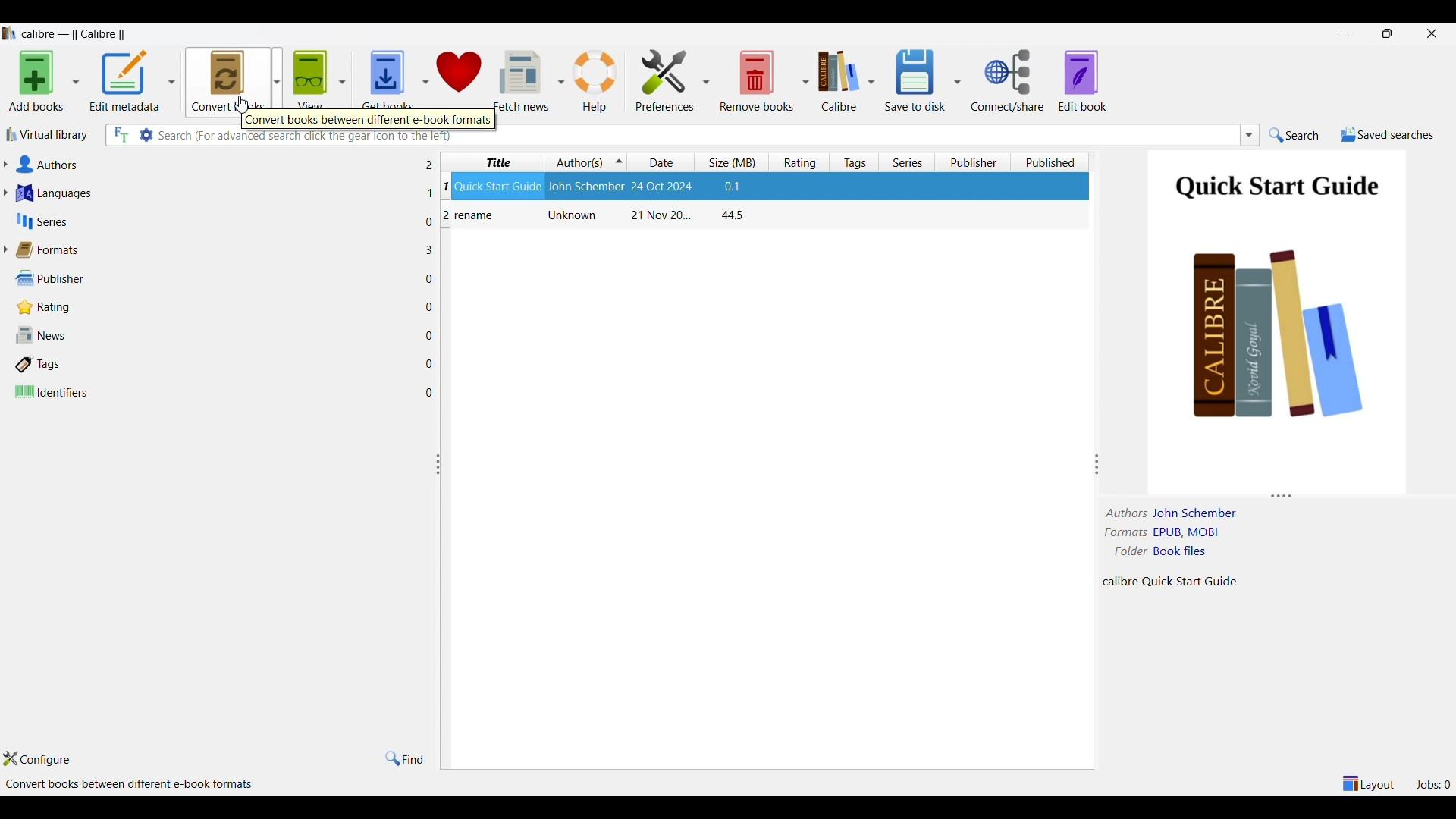 The image size is (1456, 819). I want to click on Publisher, so click(215, 279).